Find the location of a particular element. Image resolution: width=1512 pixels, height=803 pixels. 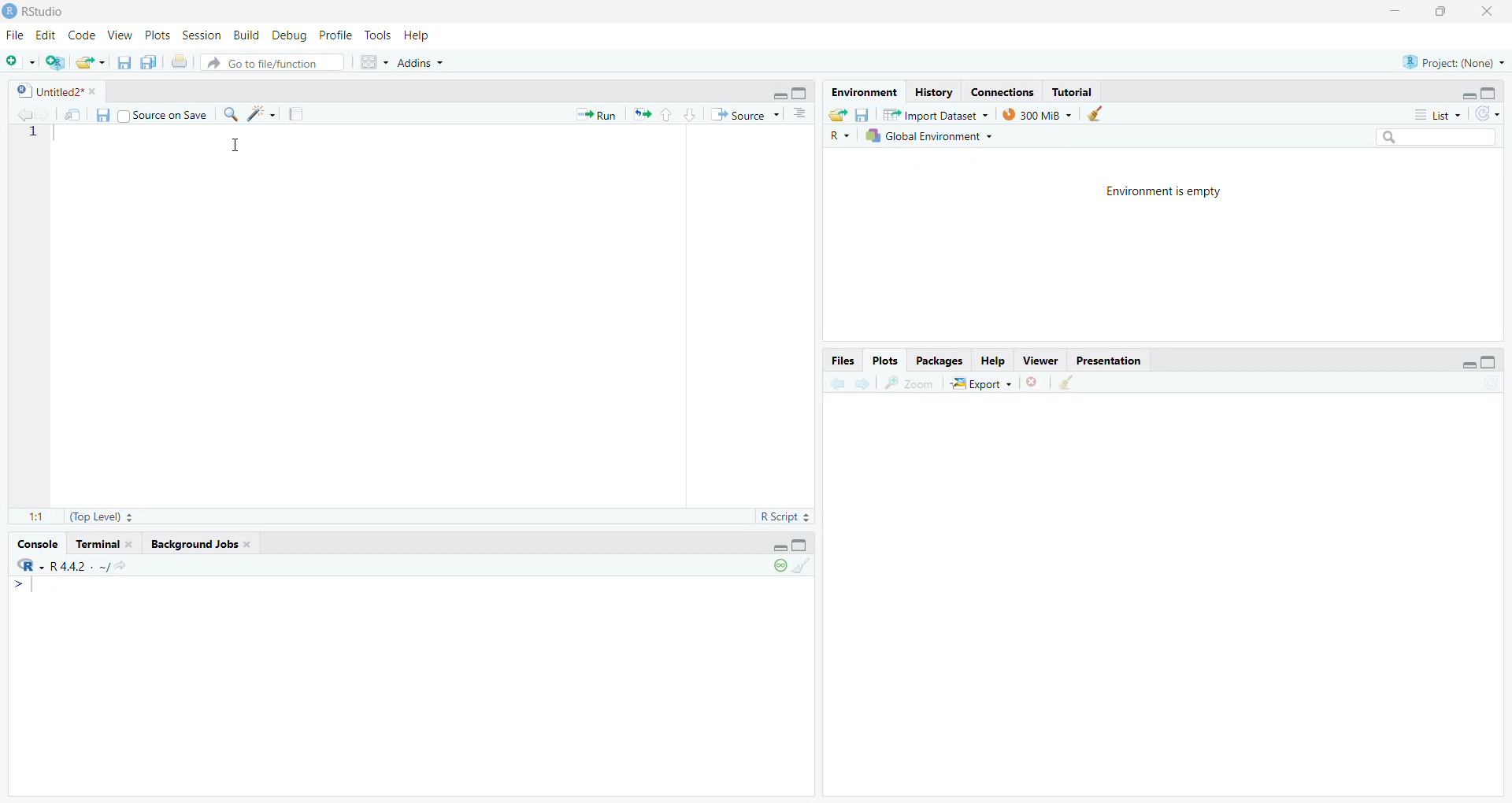

View is located at coordinates (117, 36).